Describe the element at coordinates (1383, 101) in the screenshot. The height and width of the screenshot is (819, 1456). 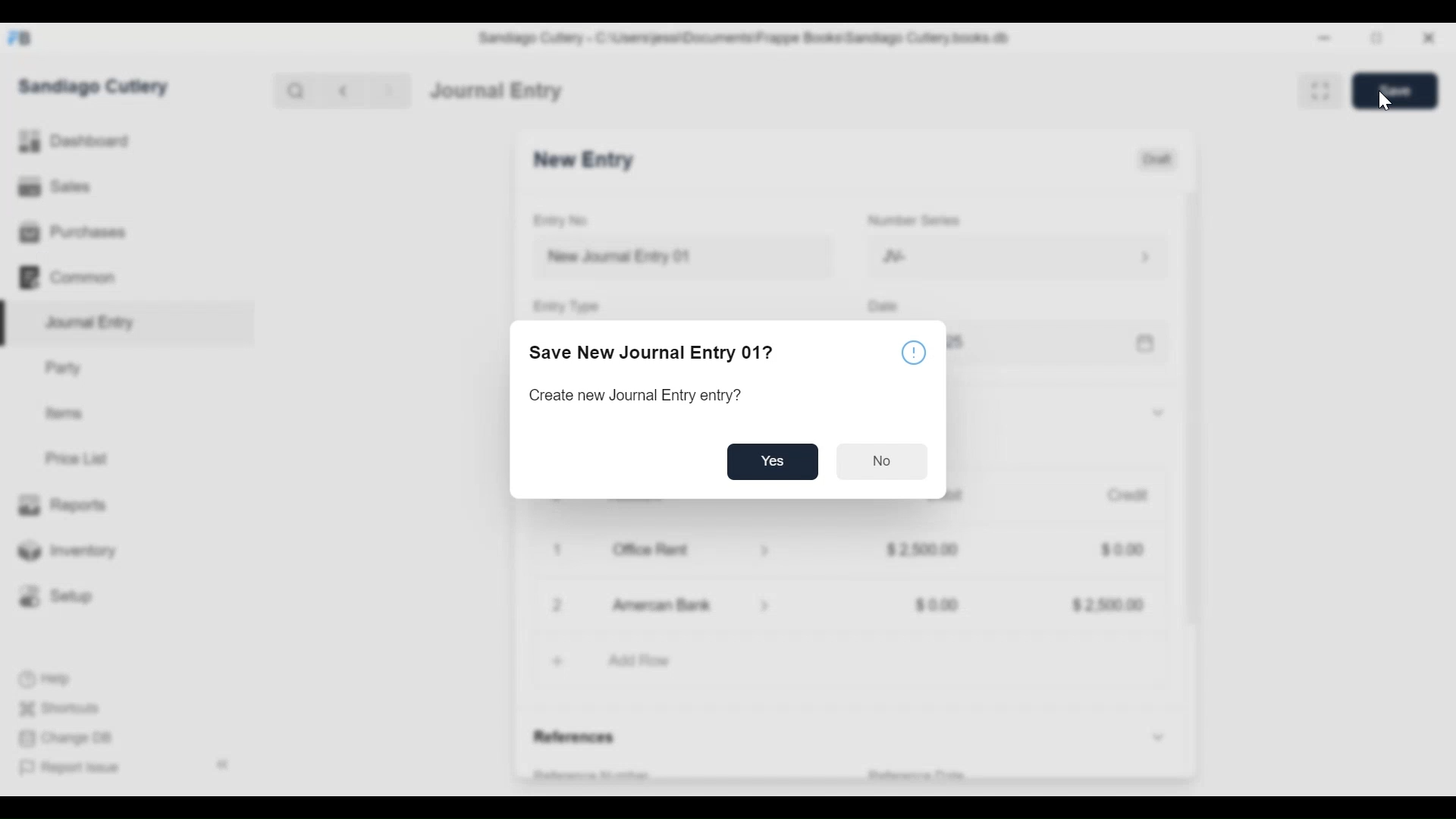
I see `cursor` at that location.